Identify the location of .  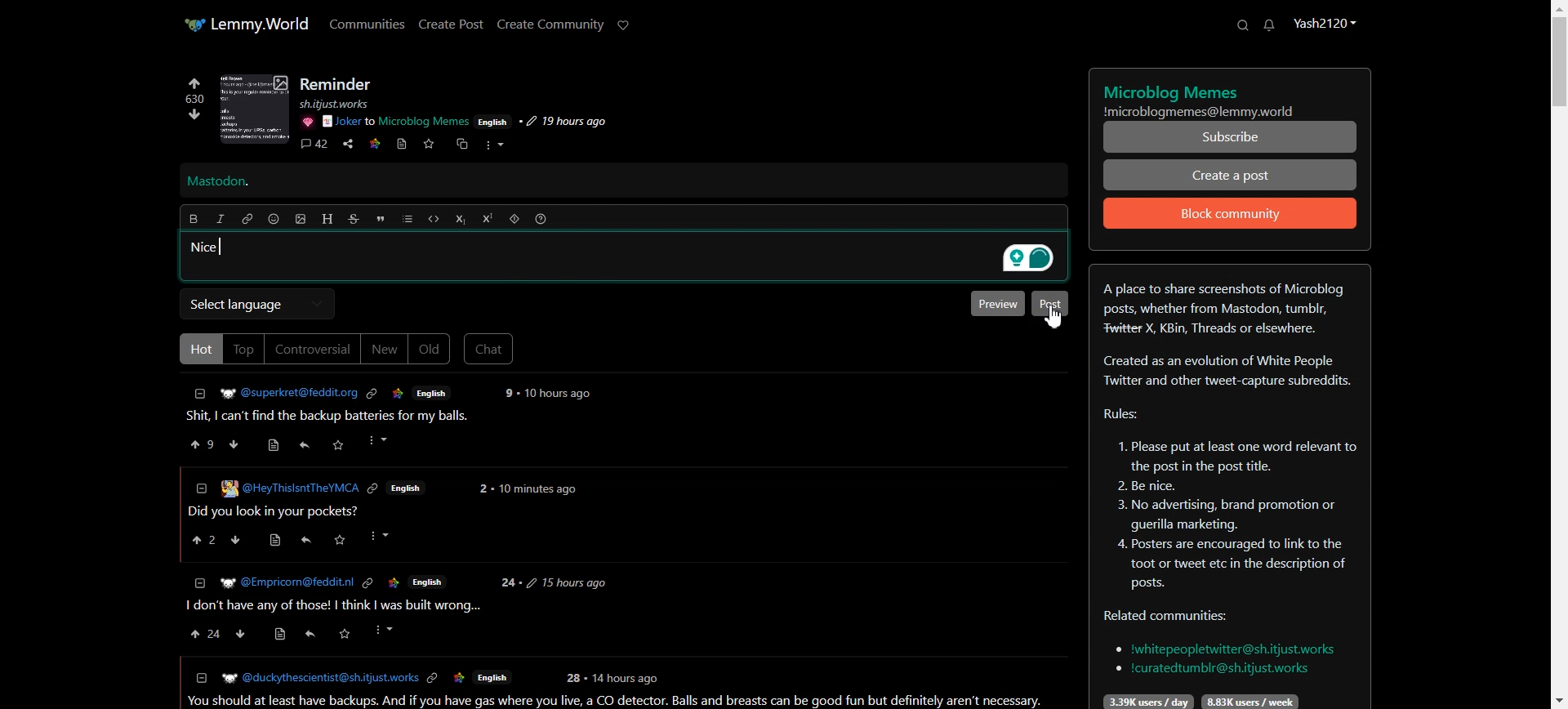
(380, 441).